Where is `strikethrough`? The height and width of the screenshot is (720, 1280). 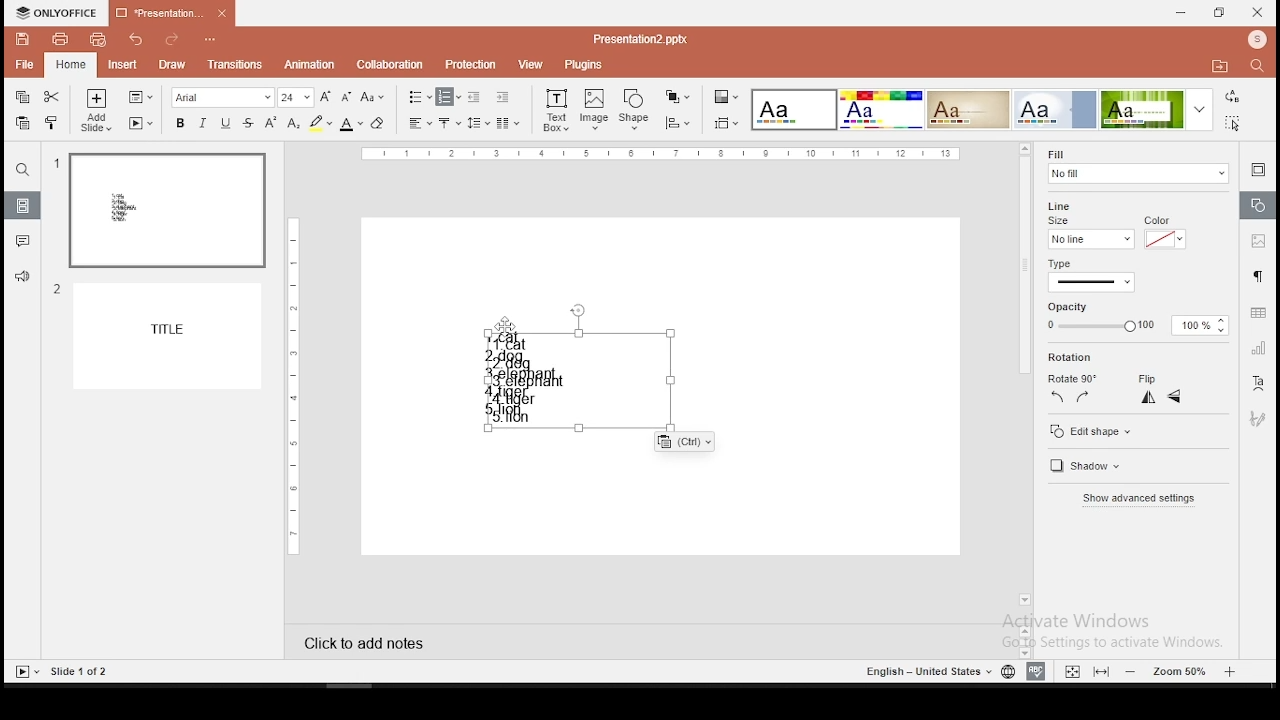 strikethrough is located at coordinates (248, 123).